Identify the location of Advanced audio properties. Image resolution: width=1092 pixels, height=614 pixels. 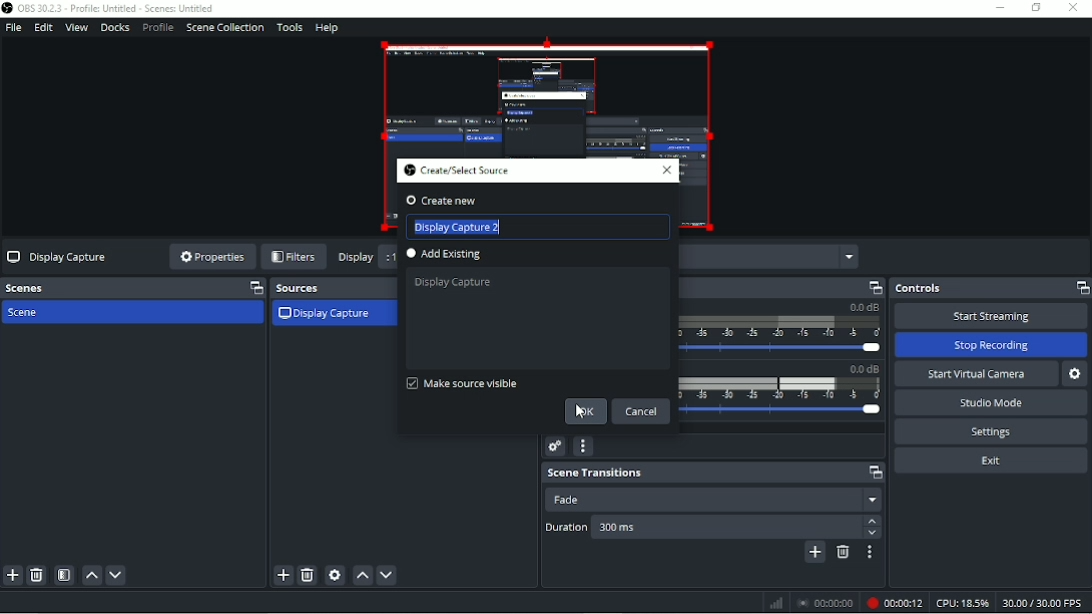
(555, 447).